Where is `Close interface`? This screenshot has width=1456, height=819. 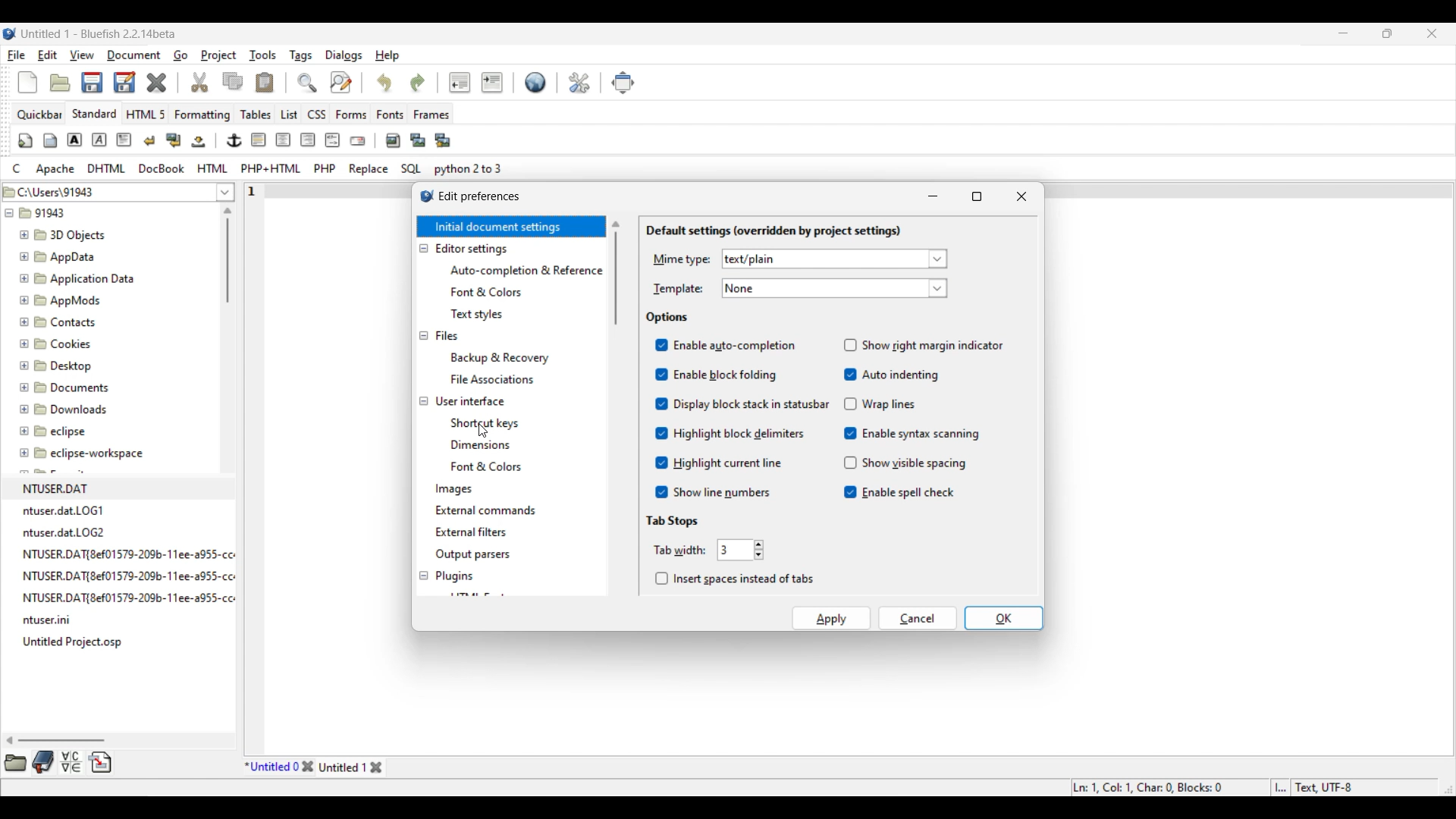 Close interface is located at coordinates (1432, 33).